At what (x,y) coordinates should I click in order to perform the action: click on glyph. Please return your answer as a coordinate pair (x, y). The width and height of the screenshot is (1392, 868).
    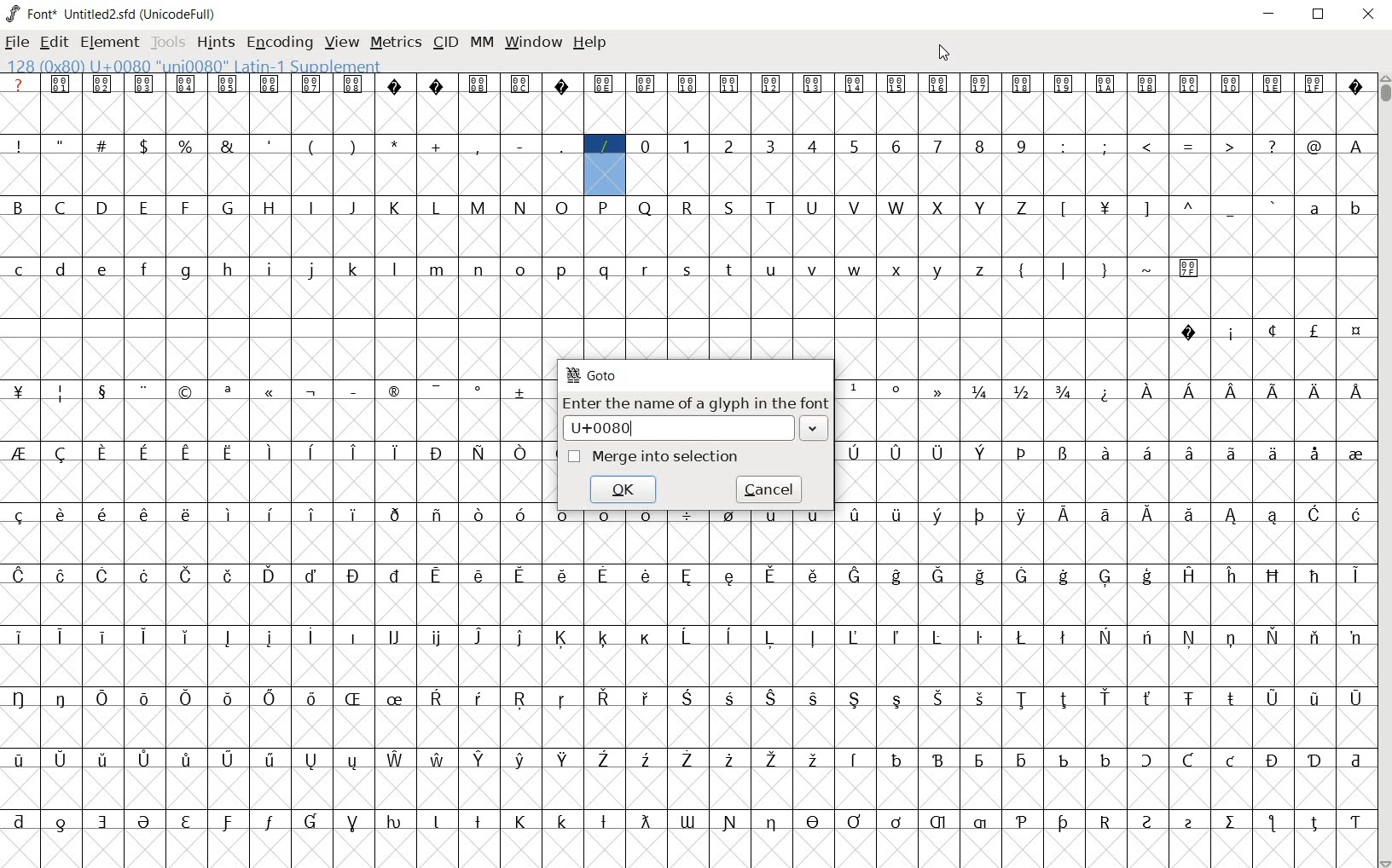
    Looking at the image, I should click on (938, 85).